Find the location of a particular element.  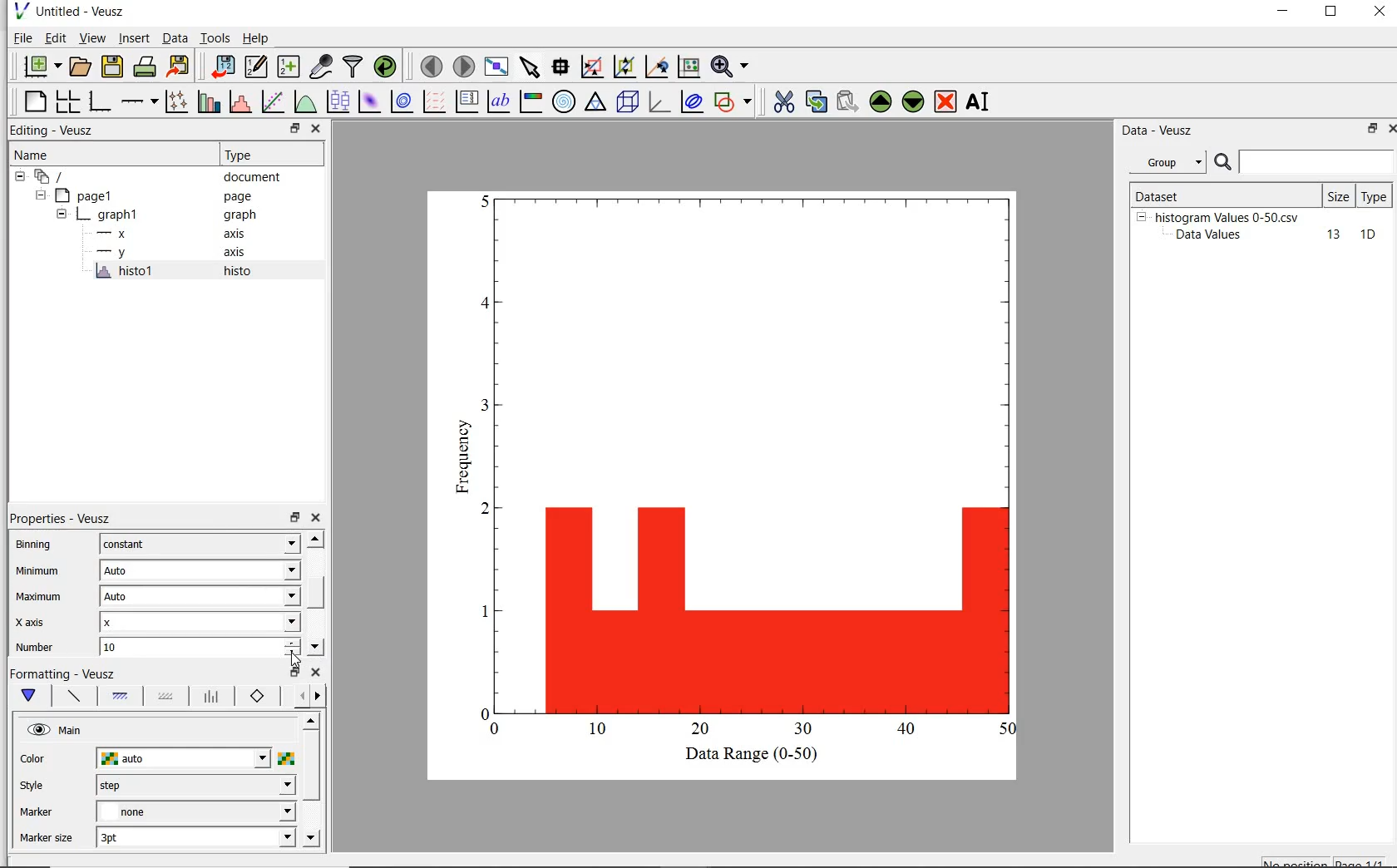

reload linked datasets is located at coordinates (388, 67).